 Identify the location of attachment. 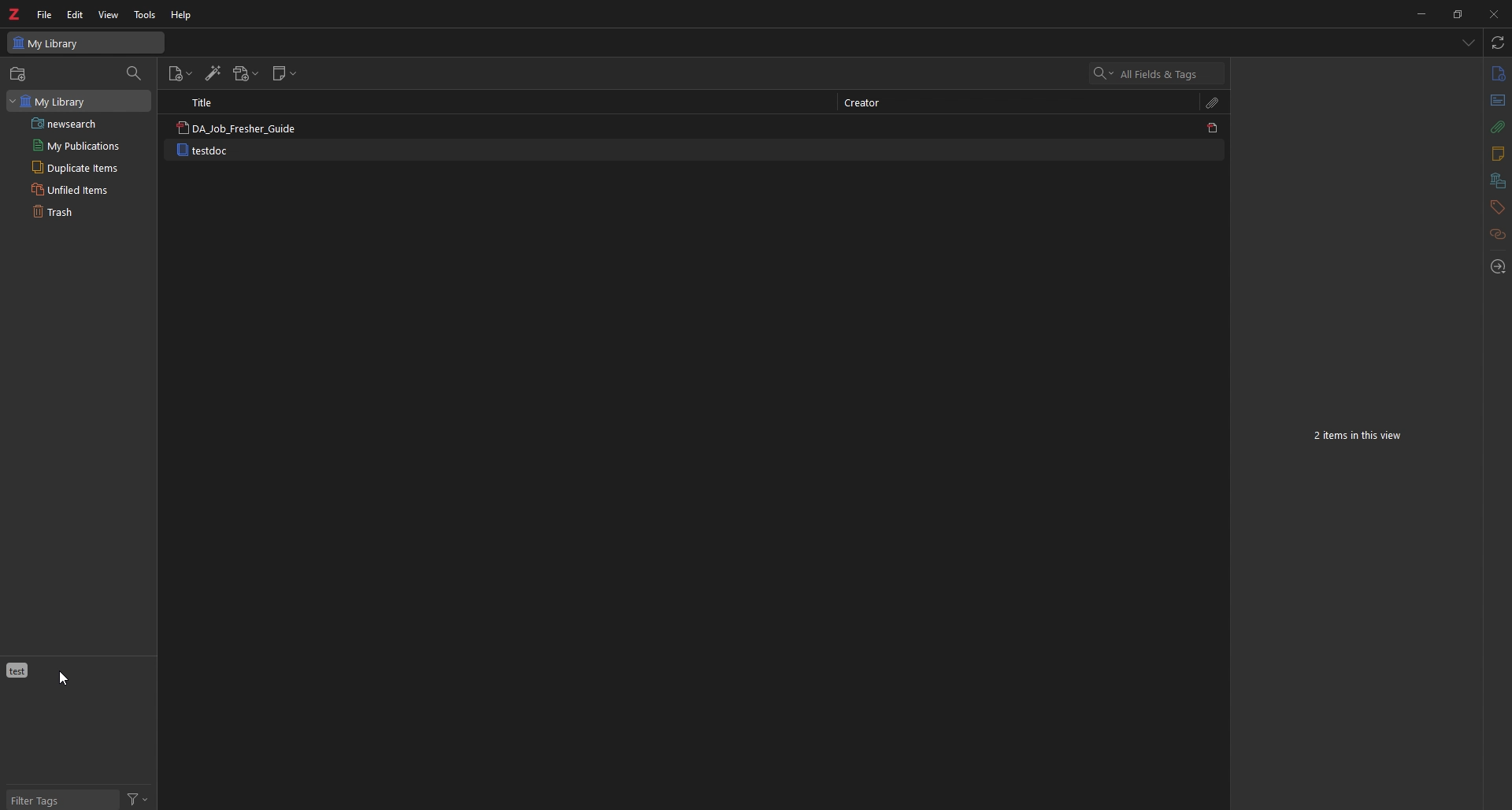
(1212, 102).